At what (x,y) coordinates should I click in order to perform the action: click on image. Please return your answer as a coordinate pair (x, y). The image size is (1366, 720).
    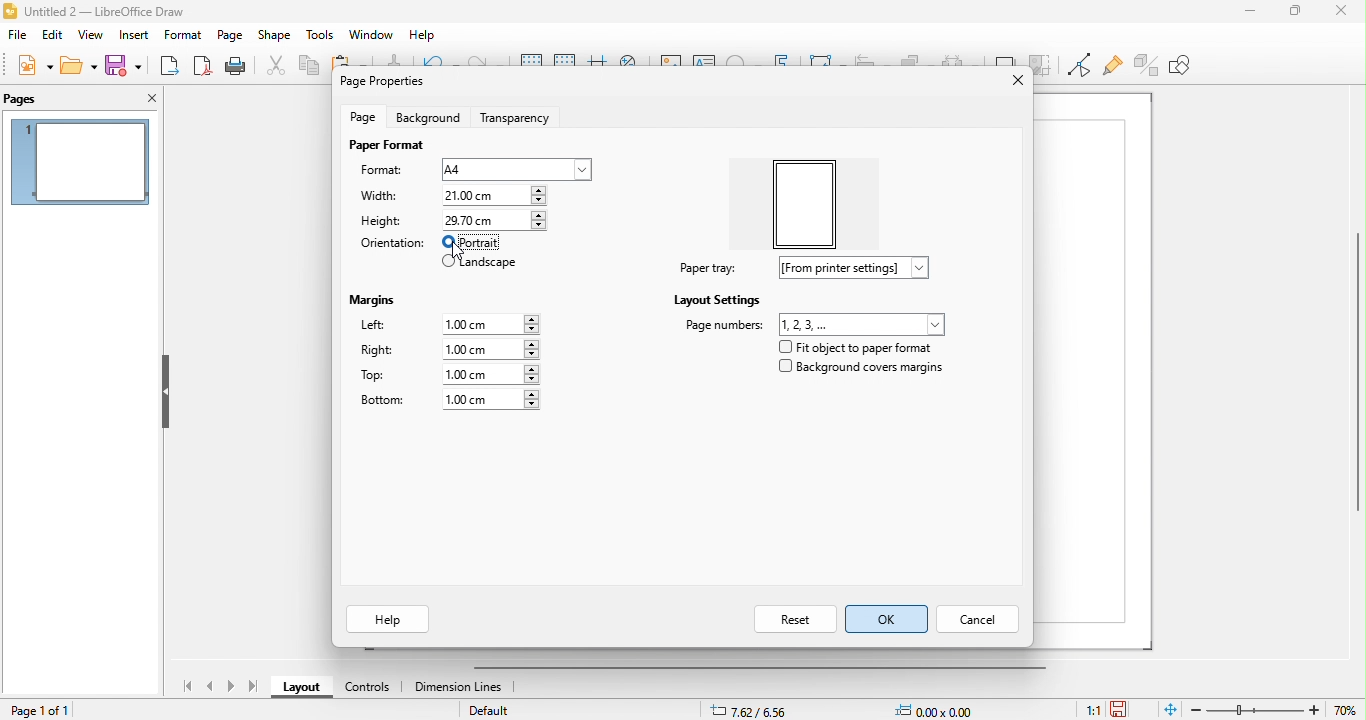
    Looking at the image, I should click on (671, 64).